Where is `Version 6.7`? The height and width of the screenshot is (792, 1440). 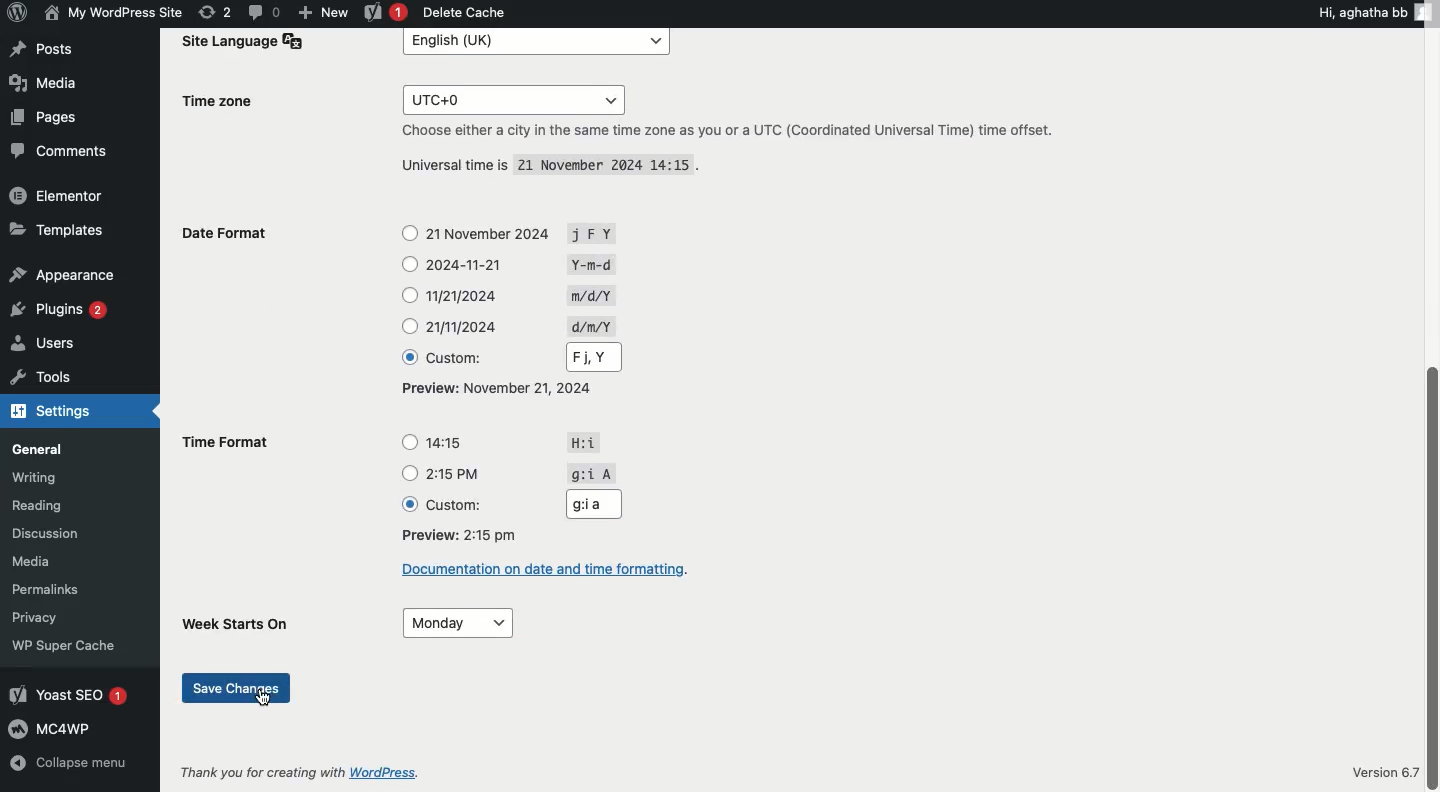
Version 6.7 is located at coordinates (1384, 770).